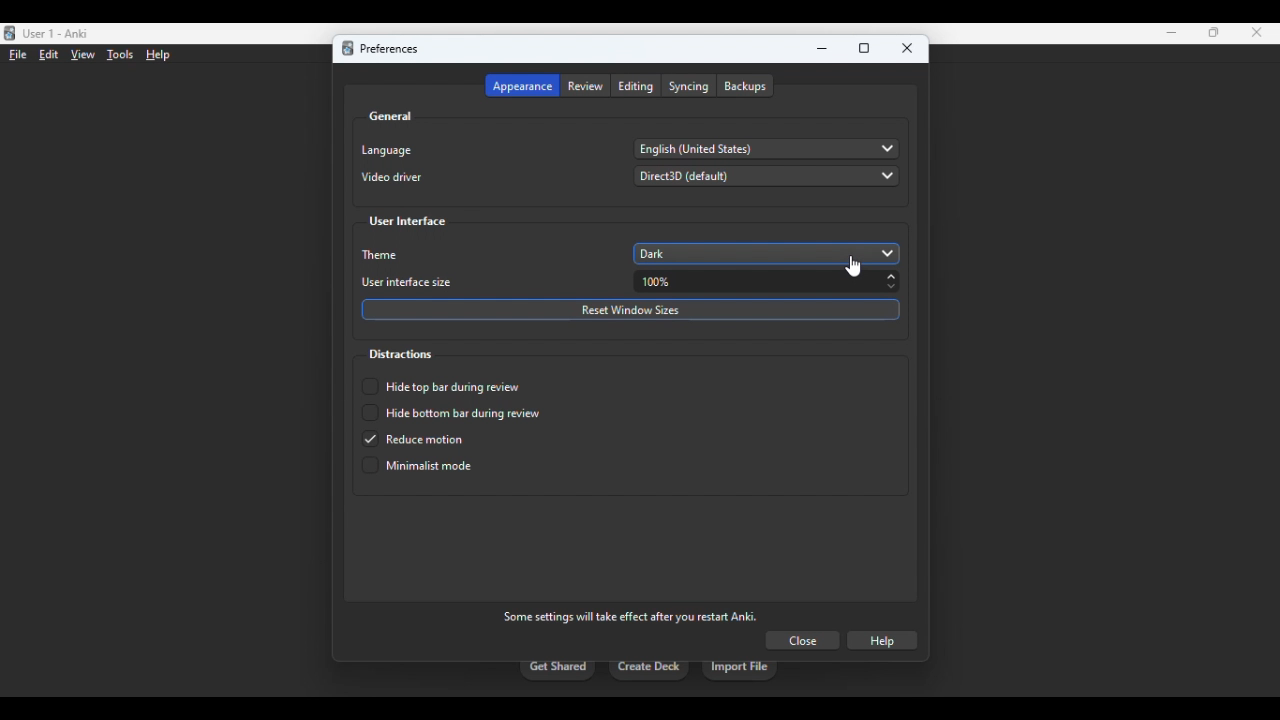 The width and height of the screenshot is (1280, 720). What do you see at coordinates (441, 386) in the screenshot?
I see `hide top bar during review` at bounding box center [441, 386].